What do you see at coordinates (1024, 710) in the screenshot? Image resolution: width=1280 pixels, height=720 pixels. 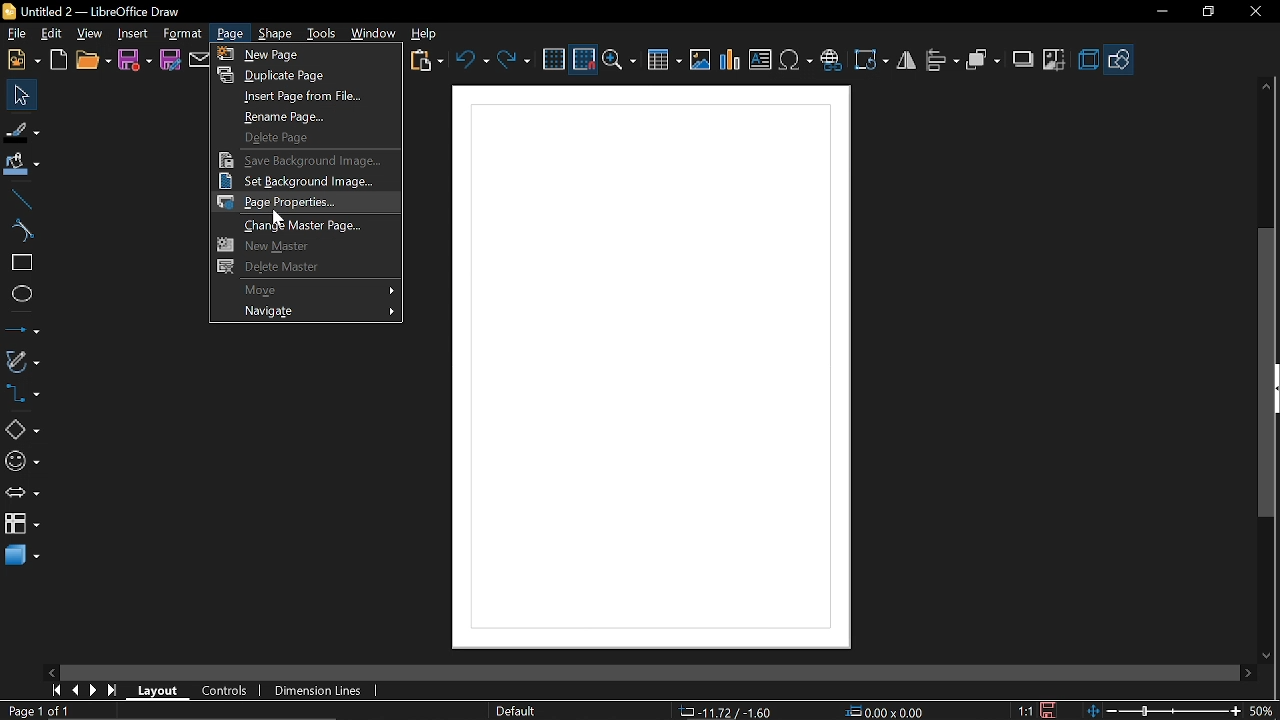 I see `Scaling factor` at bounding box center [1024, 710].